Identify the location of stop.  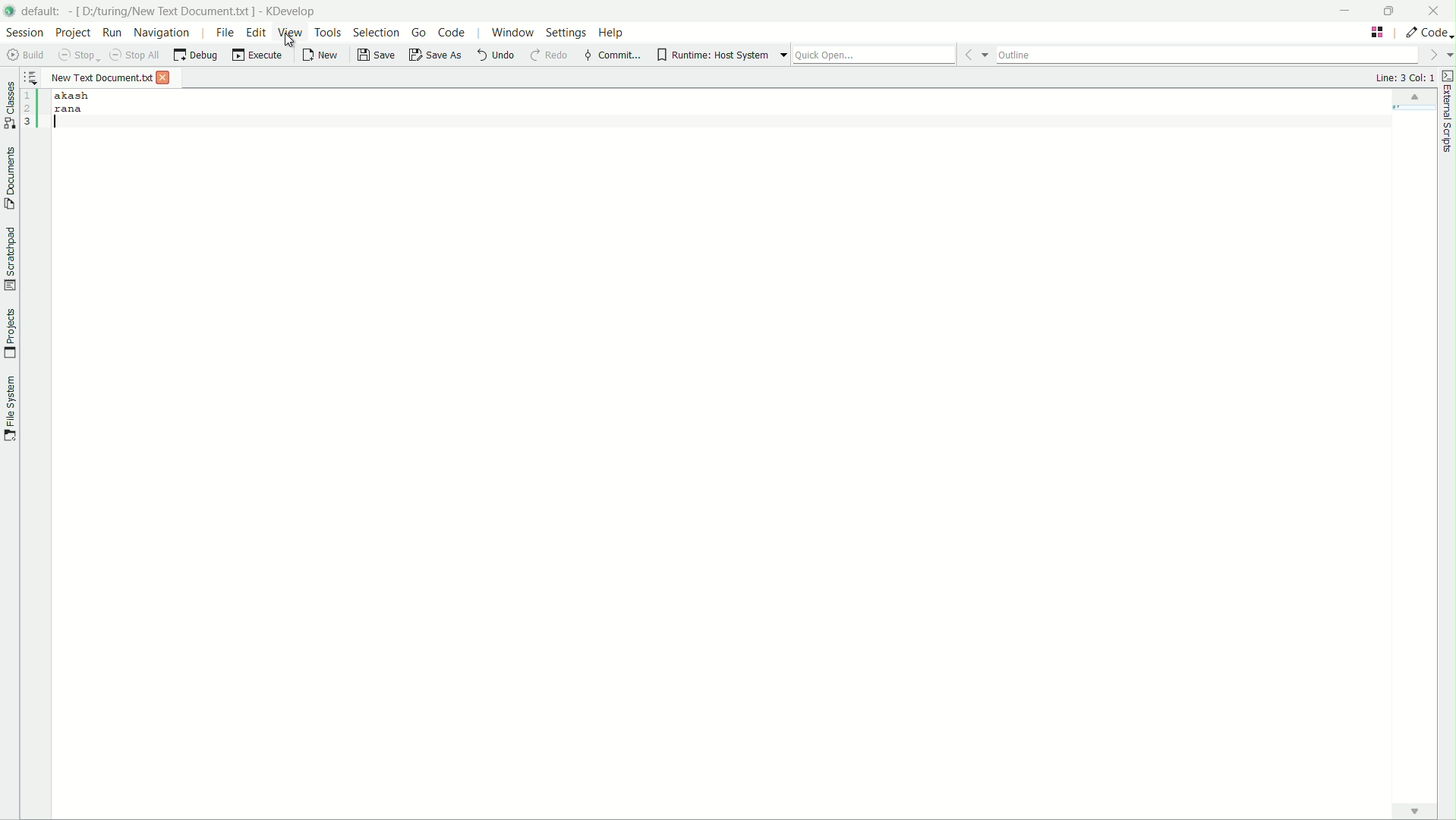
(80, 55).